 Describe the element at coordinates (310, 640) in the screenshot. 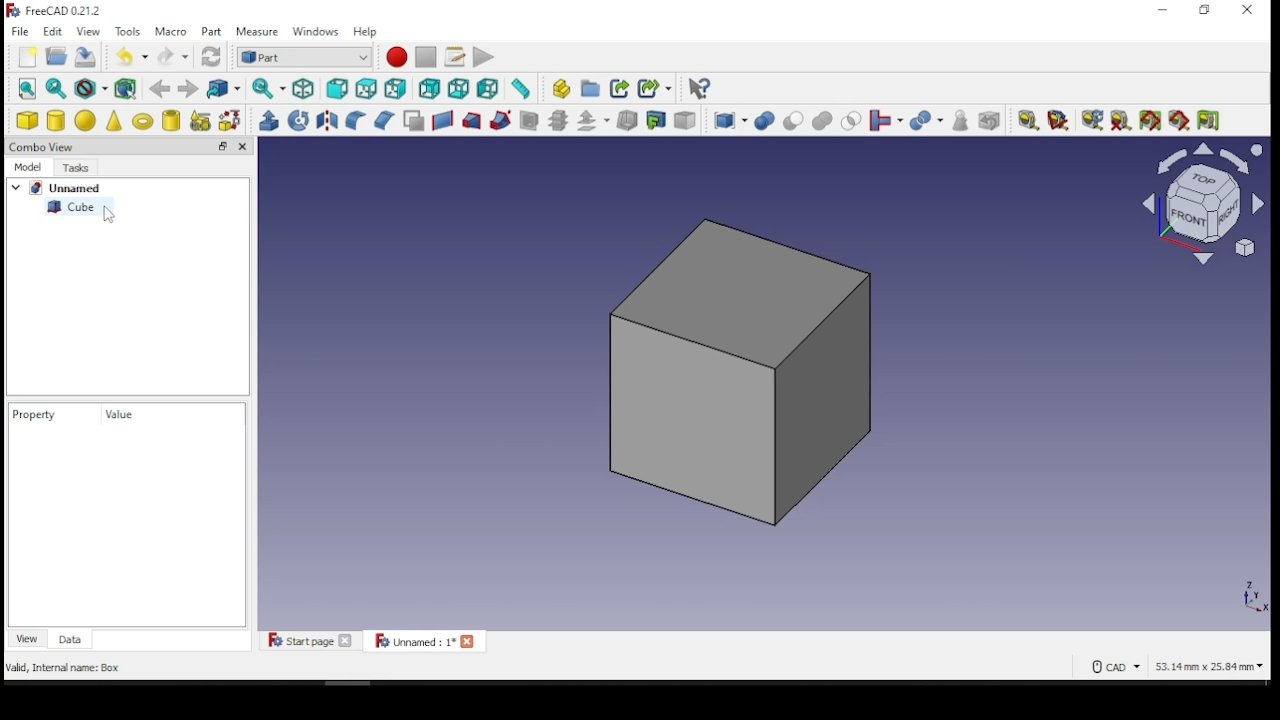

I see `start page` at that location.